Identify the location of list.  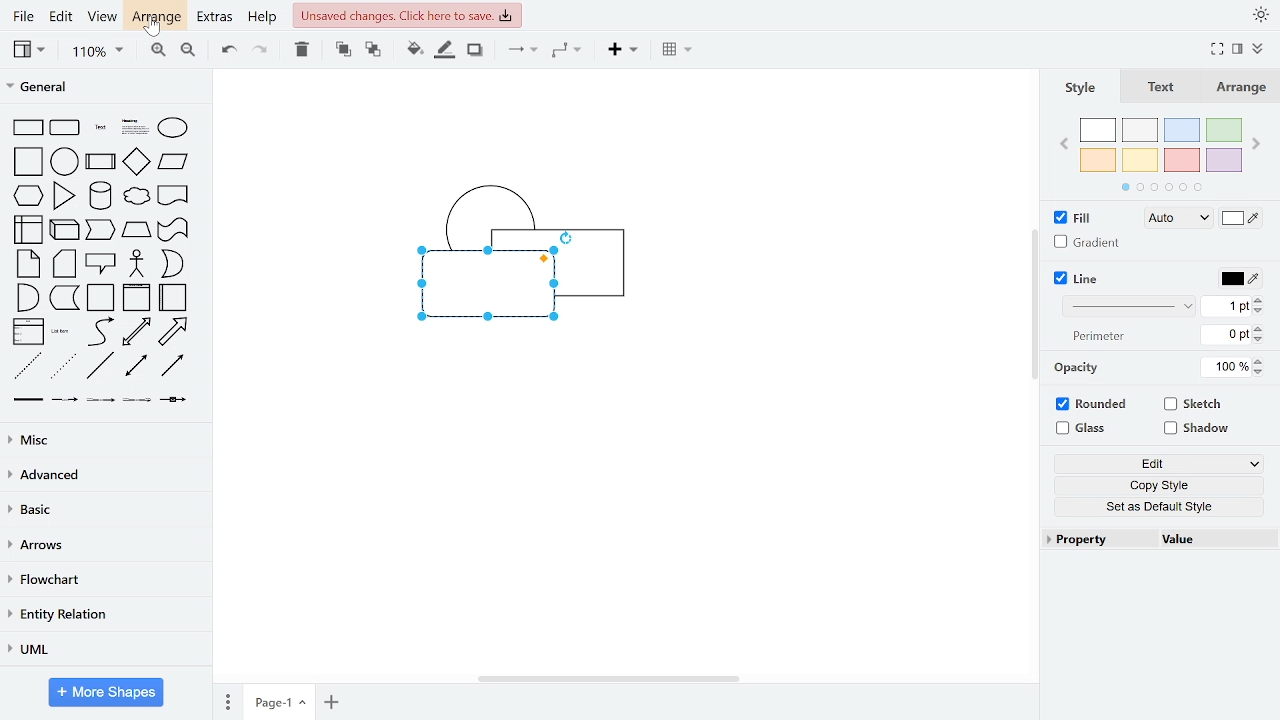
(26, 332).